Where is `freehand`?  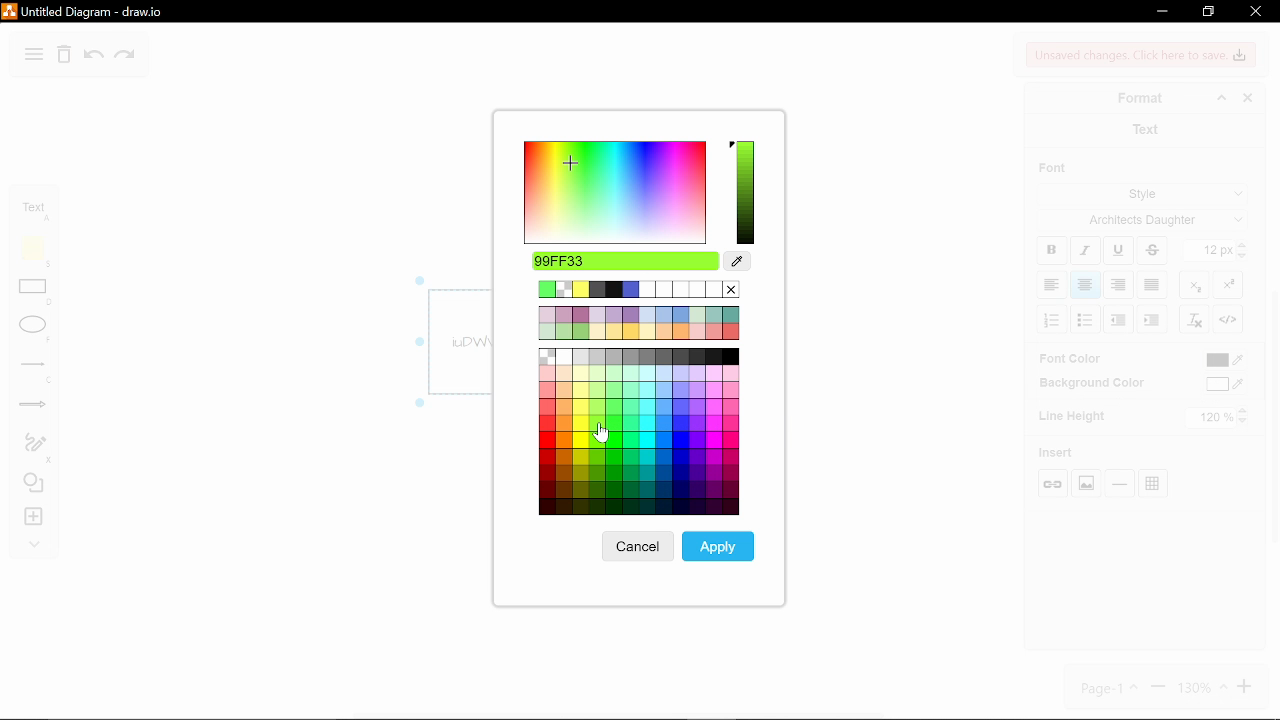 freehand is located at coordinates (31, 446).